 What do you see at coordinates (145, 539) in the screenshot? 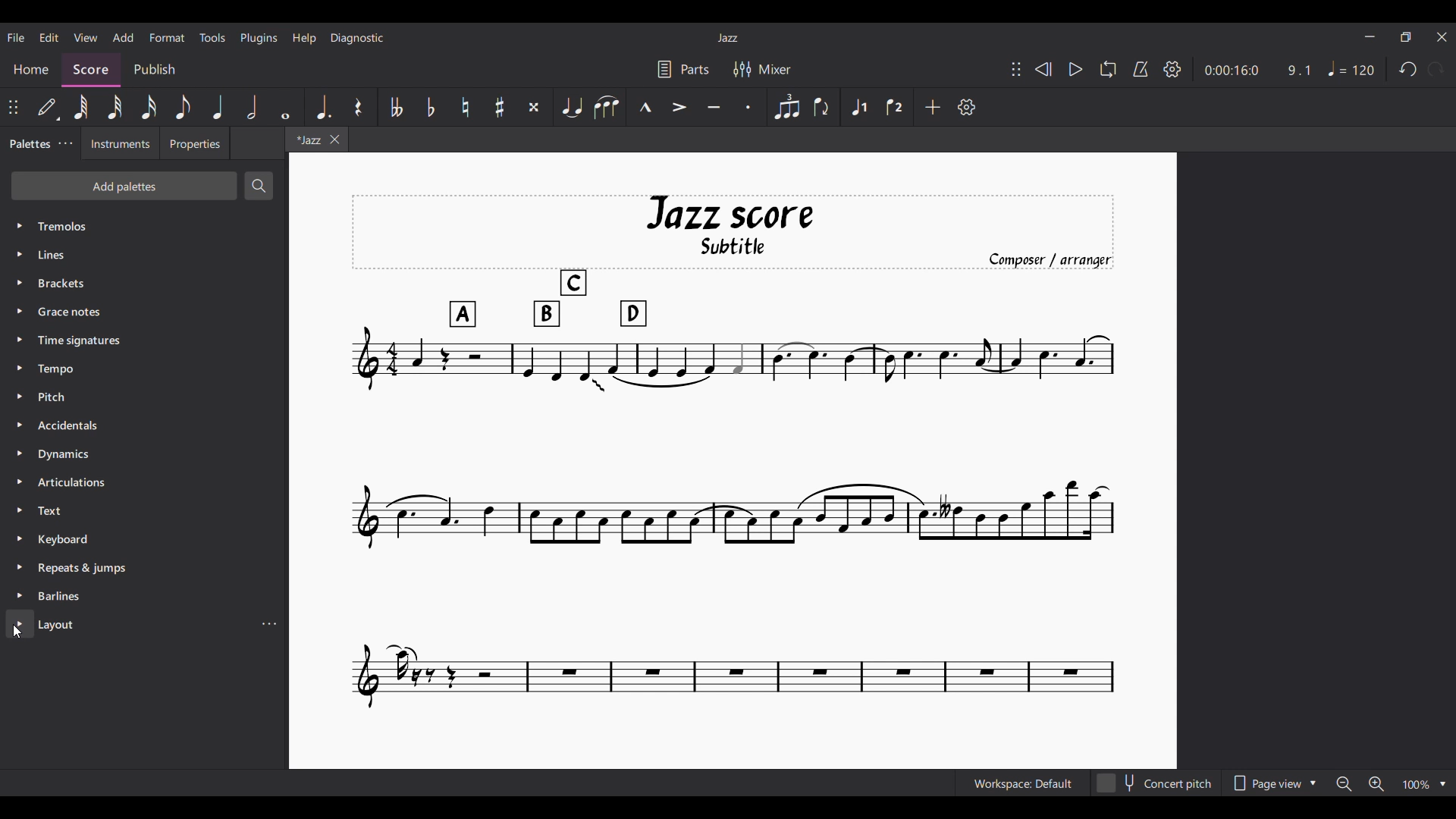
I see `Keyboard` at bounding box center [145, 539].